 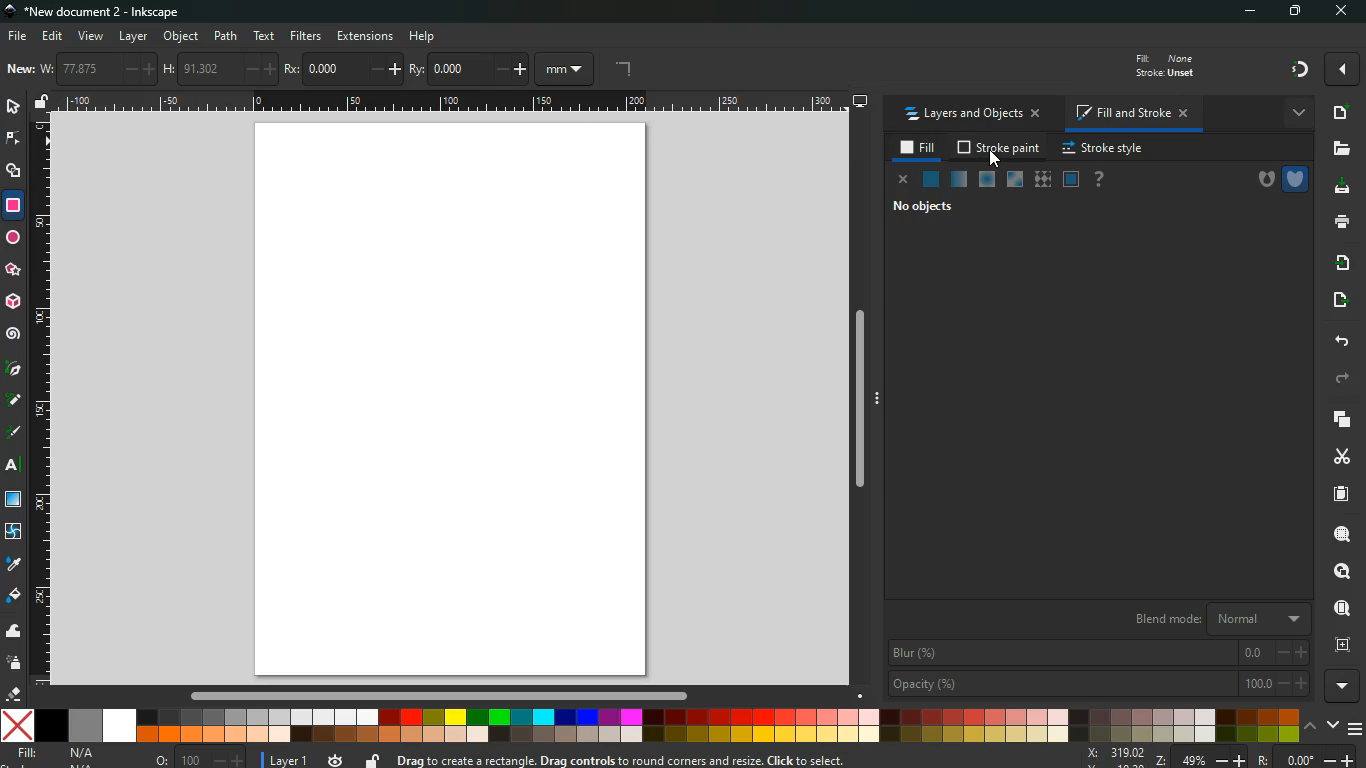 I want to click on stroke style, so click(x=1105, y=150).